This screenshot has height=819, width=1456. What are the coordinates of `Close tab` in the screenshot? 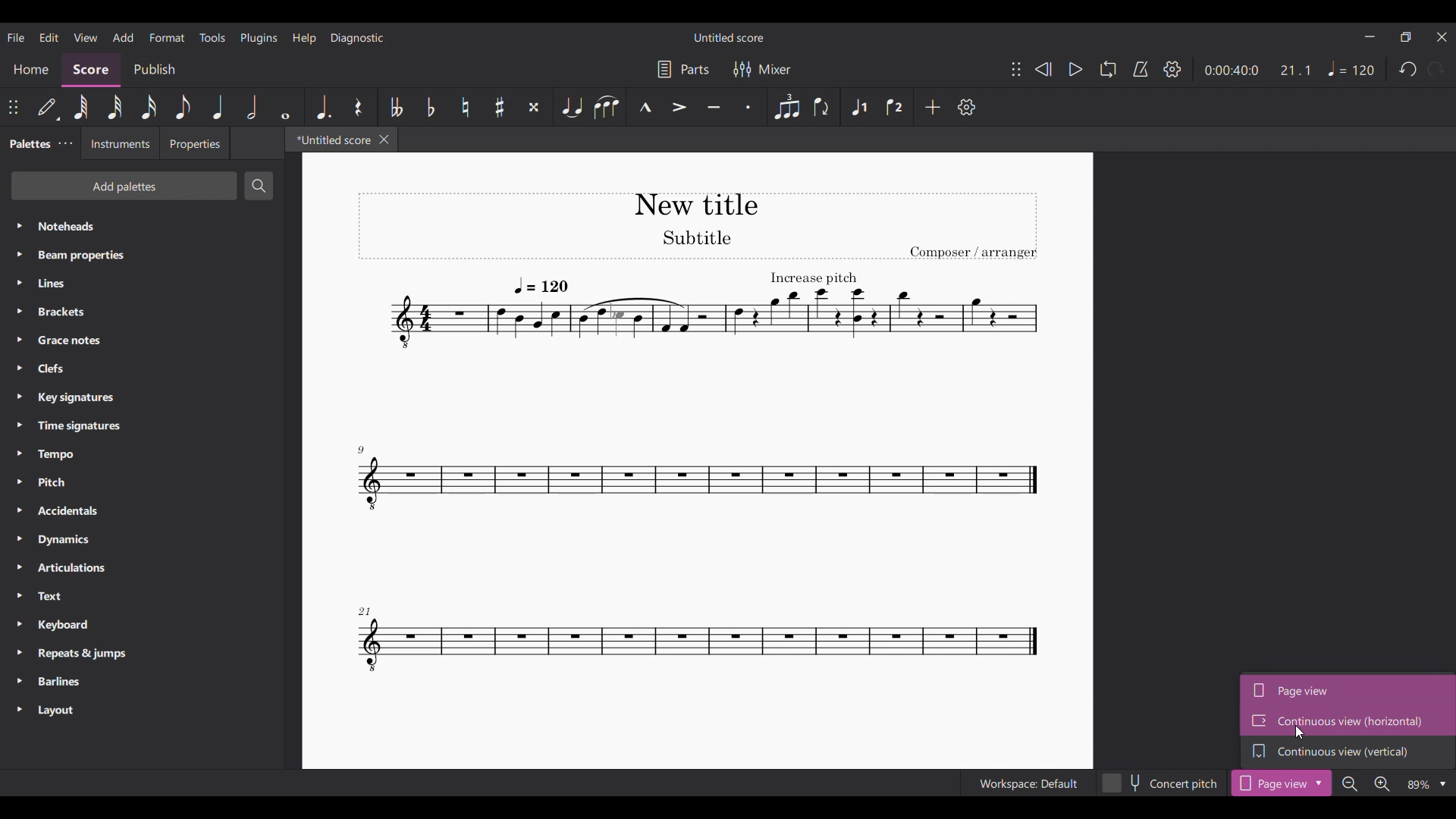 It's located at (384, 140).